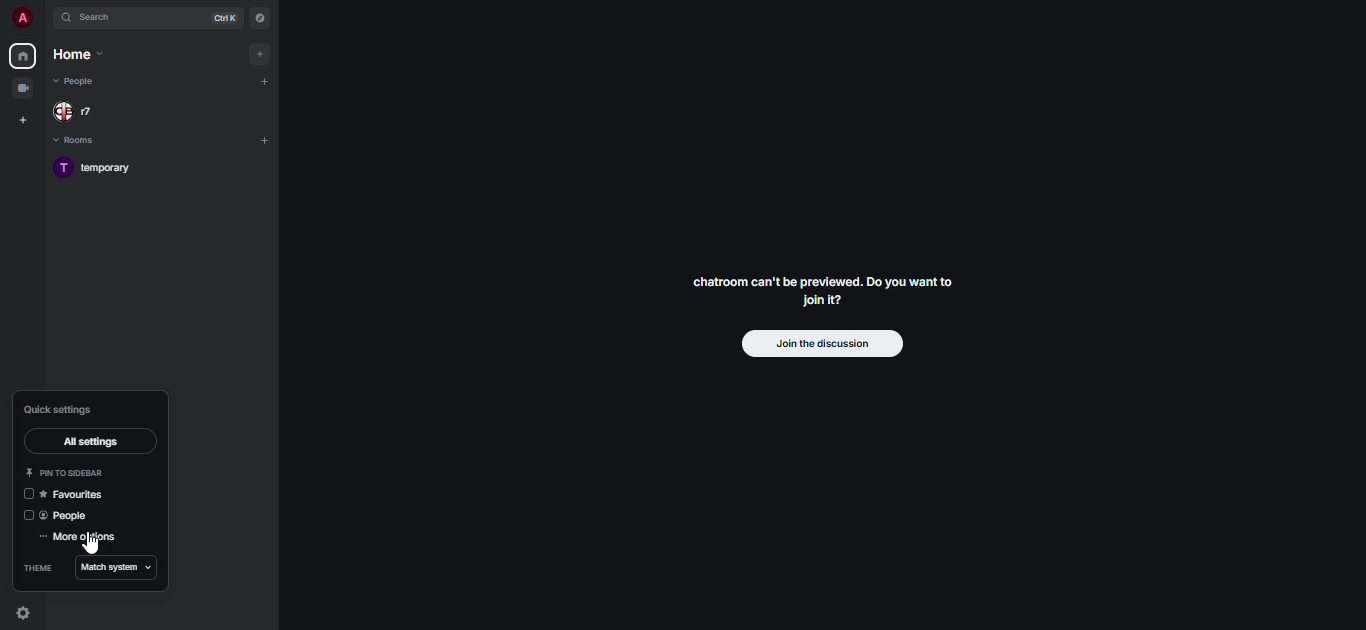 This screenshot has width=1366, height=630. What do you see at coordinates (59, 410) in the screenshot?
I see `quick settings` at bounding box center [59, 410].